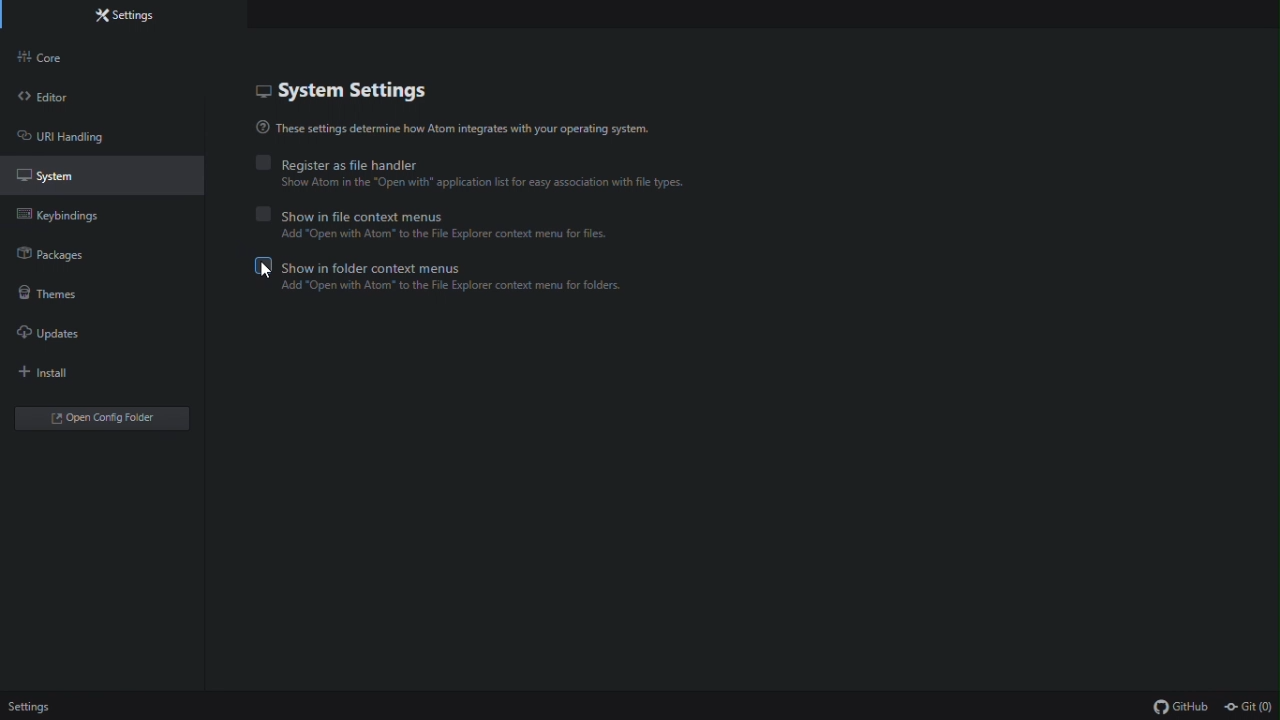 The image size is (1280, 720). Describe the element at coordinates (108, 330) in the screenshot. I see `Updates` at that location.